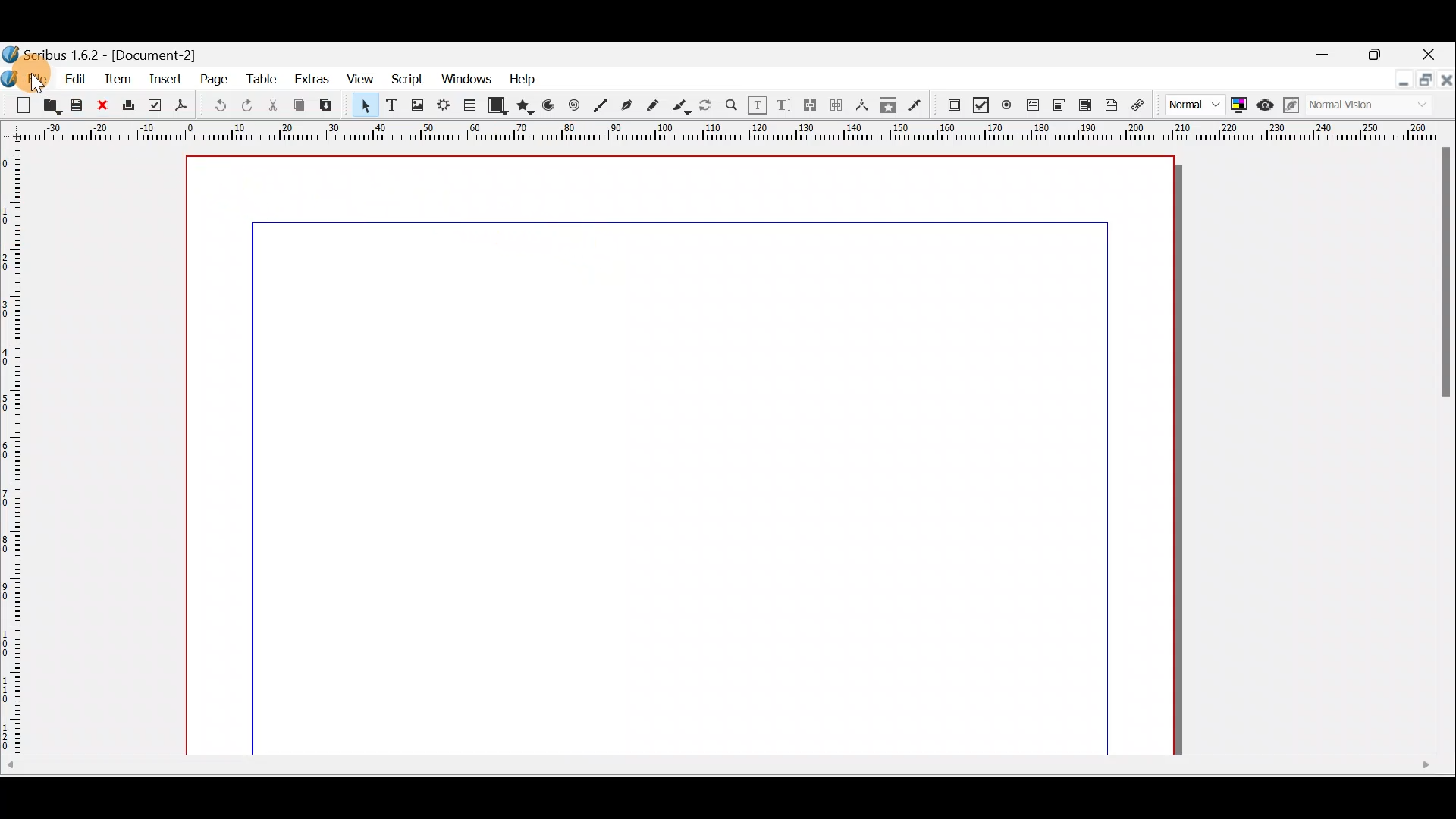 This screenshot has width=1456, height=819. Describe the element at coordinates (627, 105) in the screenshot. I see `Bezier curver` at that location.